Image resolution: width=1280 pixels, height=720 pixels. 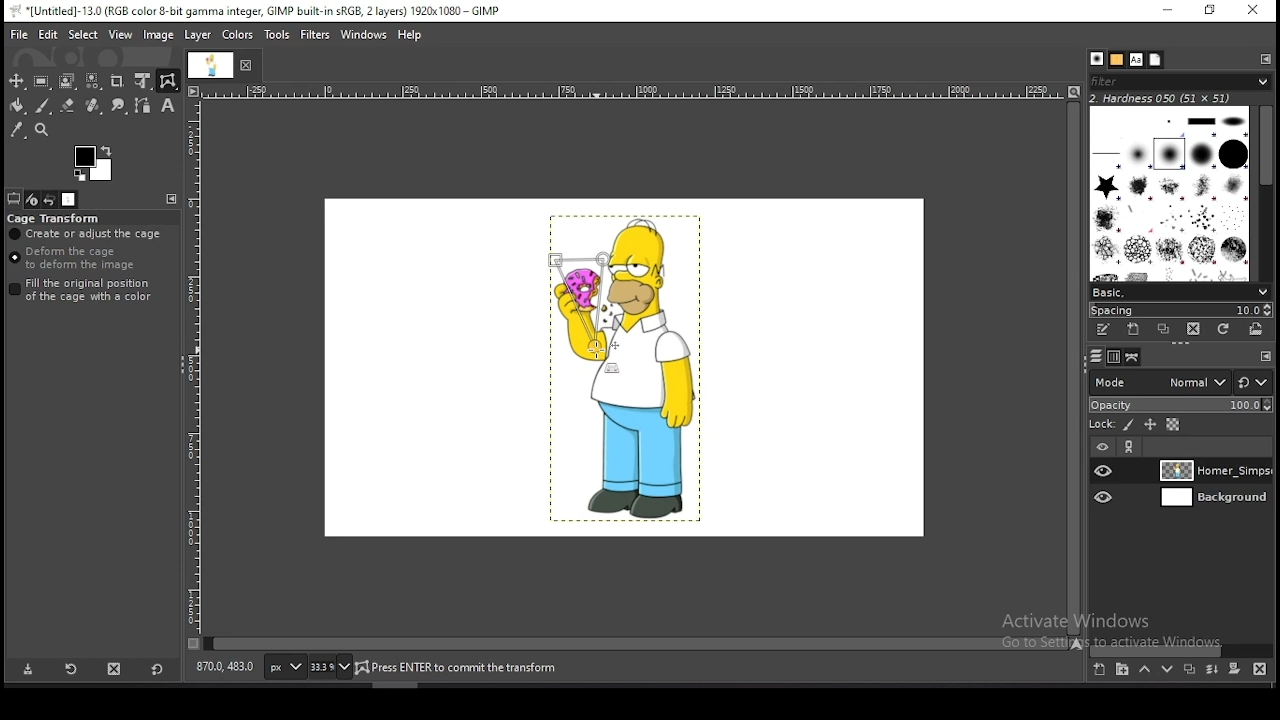 I want to click on active cage transform, so click(x=583, y=306).